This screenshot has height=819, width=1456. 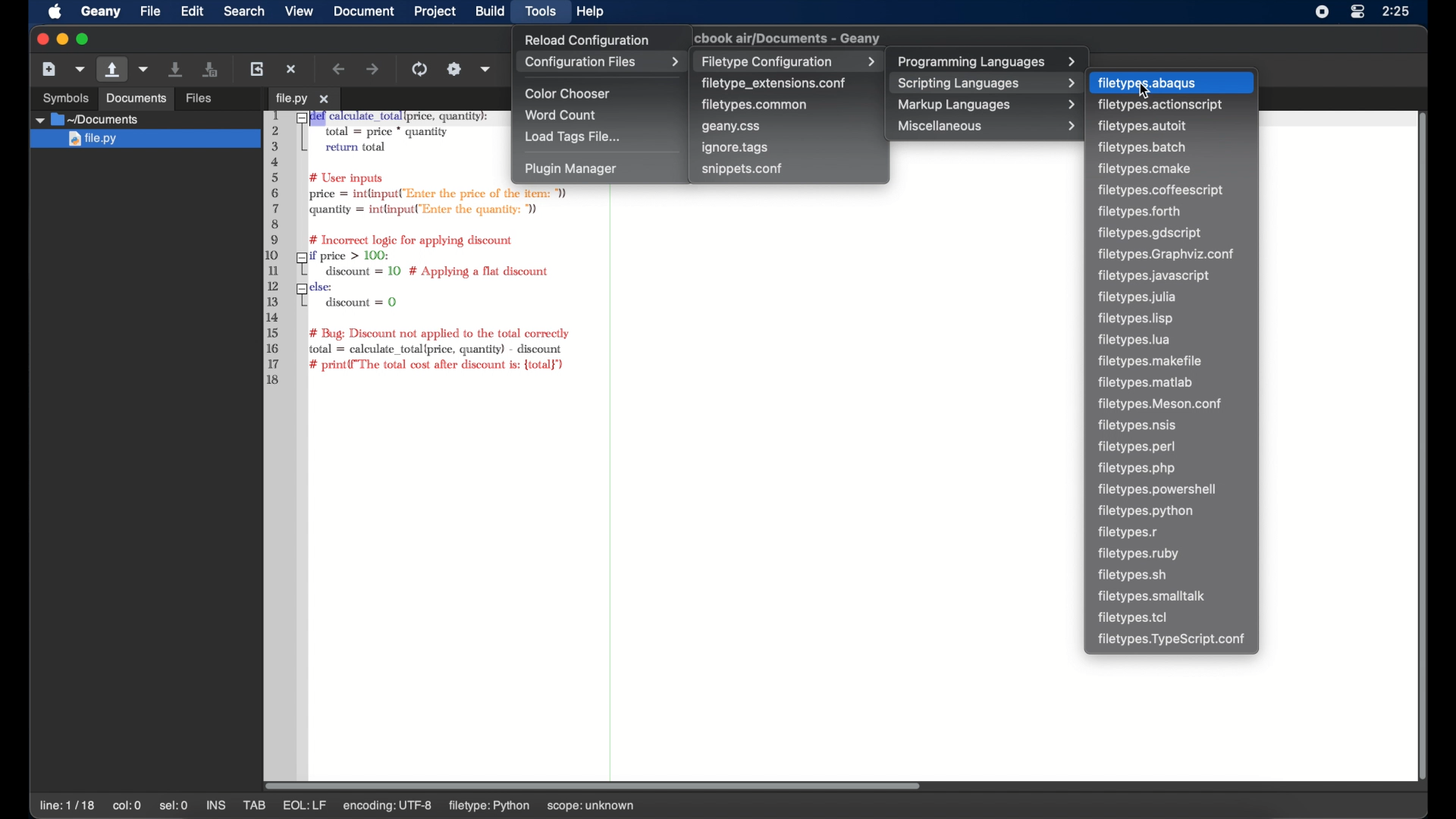 I want to click on minimize, so click(x=61, y=39).